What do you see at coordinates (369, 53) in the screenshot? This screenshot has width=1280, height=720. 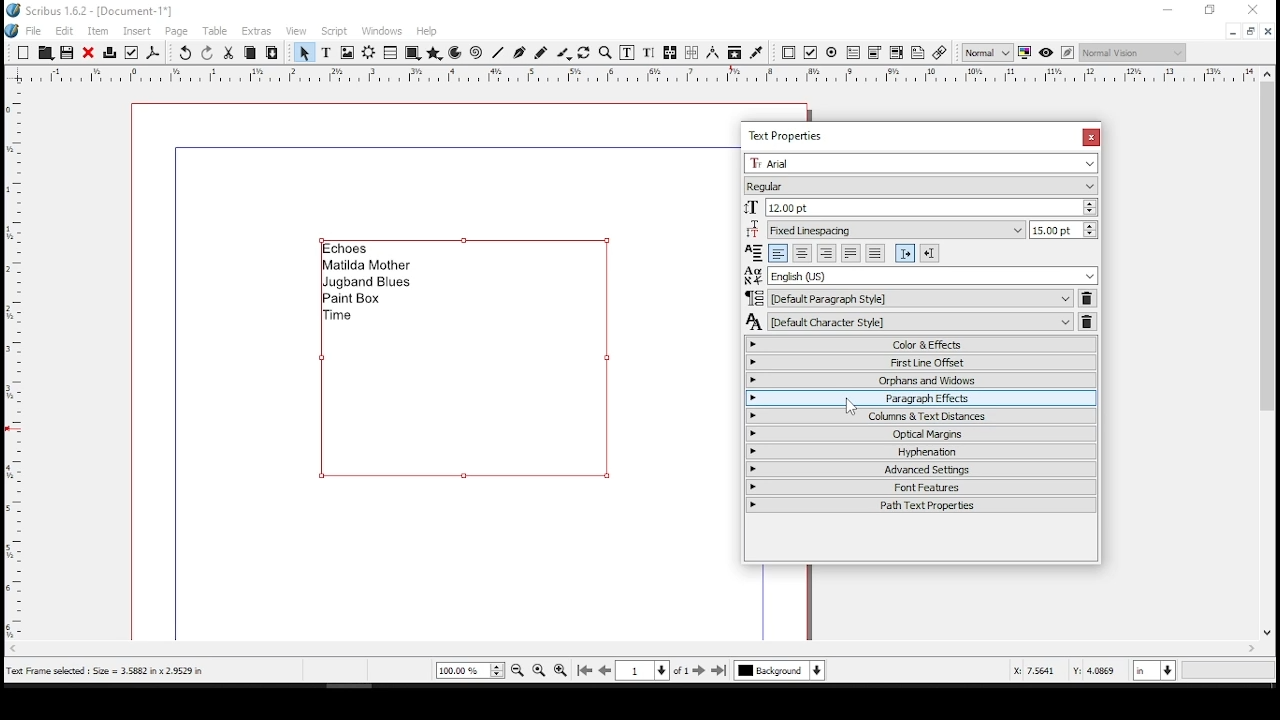 I see `render frame` at bounding box center [369, 53].